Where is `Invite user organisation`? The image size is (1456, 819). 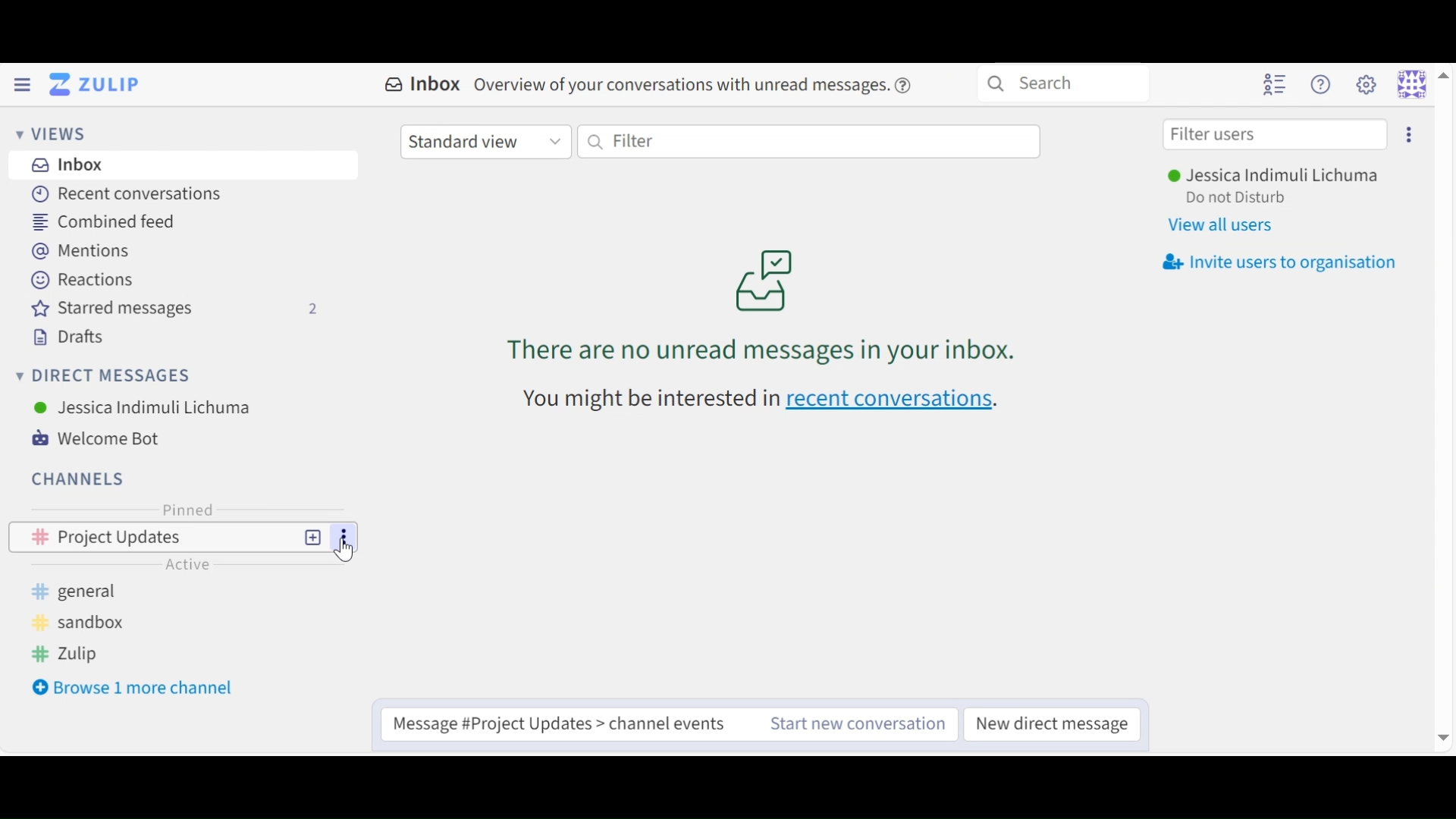
Invite user organisation is located at coordinates (1282, 261).